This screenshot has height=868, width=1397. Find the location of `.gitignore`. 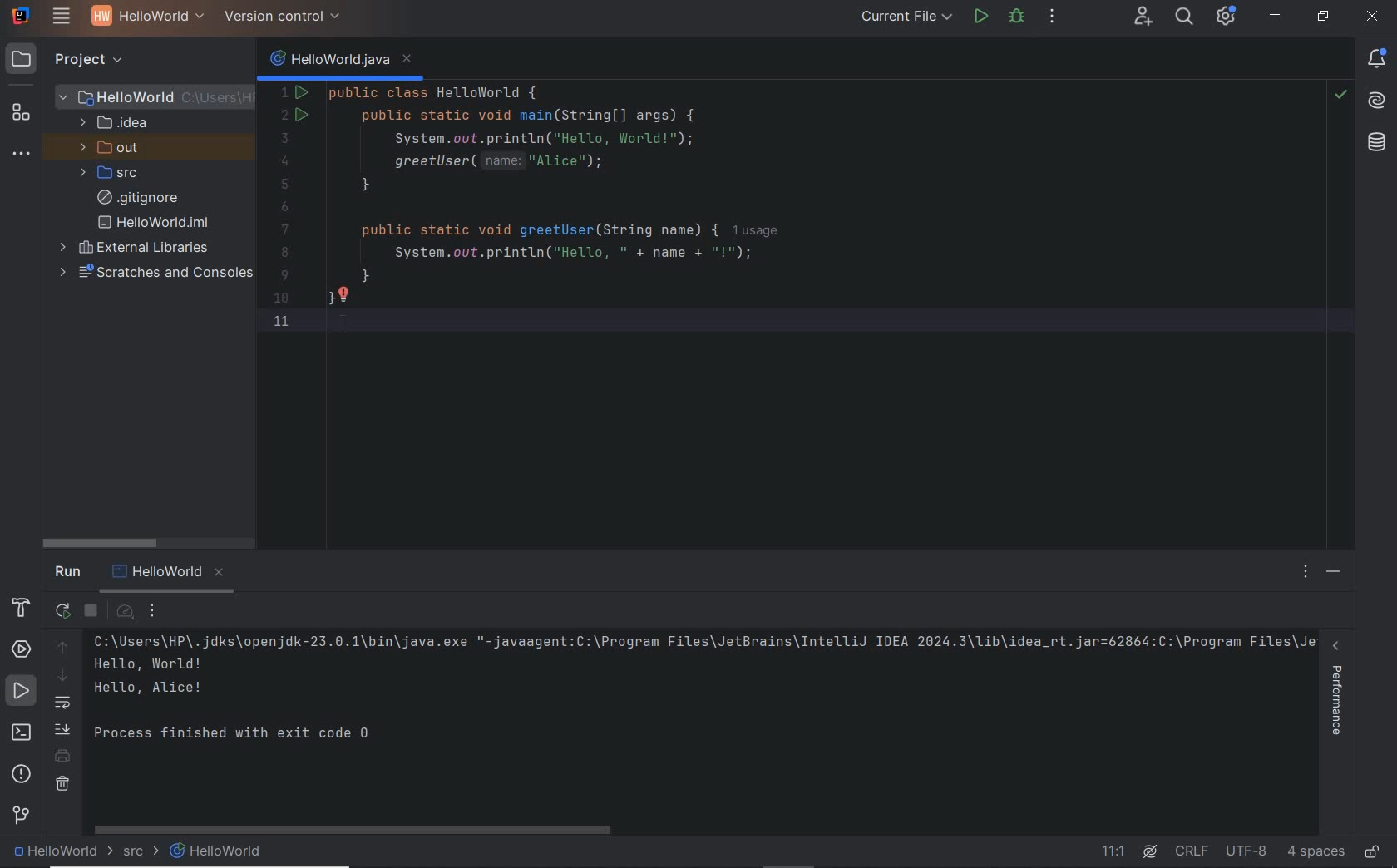

.gitignore is located at coordinates (137, 199).